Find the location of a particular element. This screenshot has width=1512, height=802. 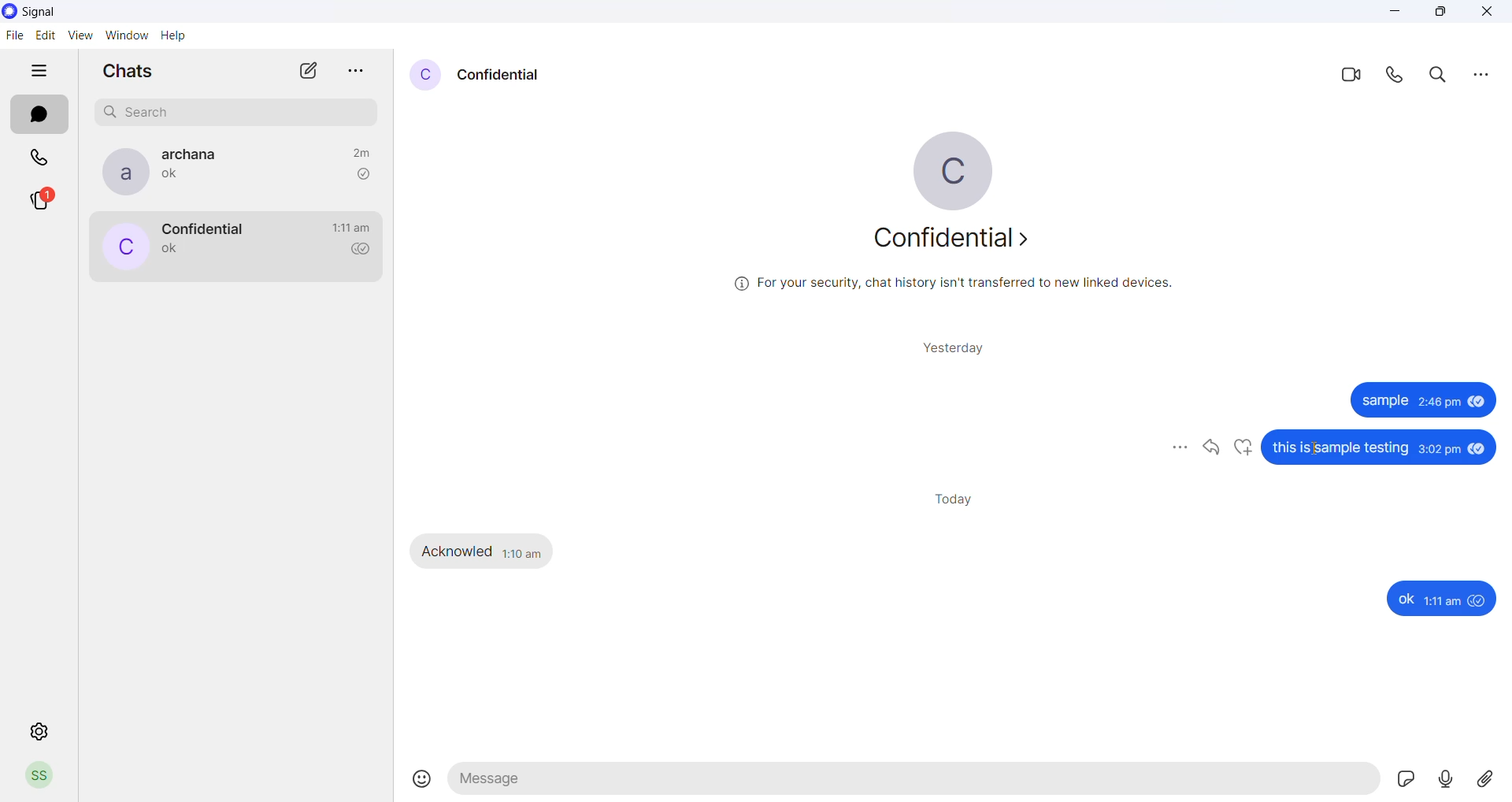

seen is located at coordinates (1480, 601).